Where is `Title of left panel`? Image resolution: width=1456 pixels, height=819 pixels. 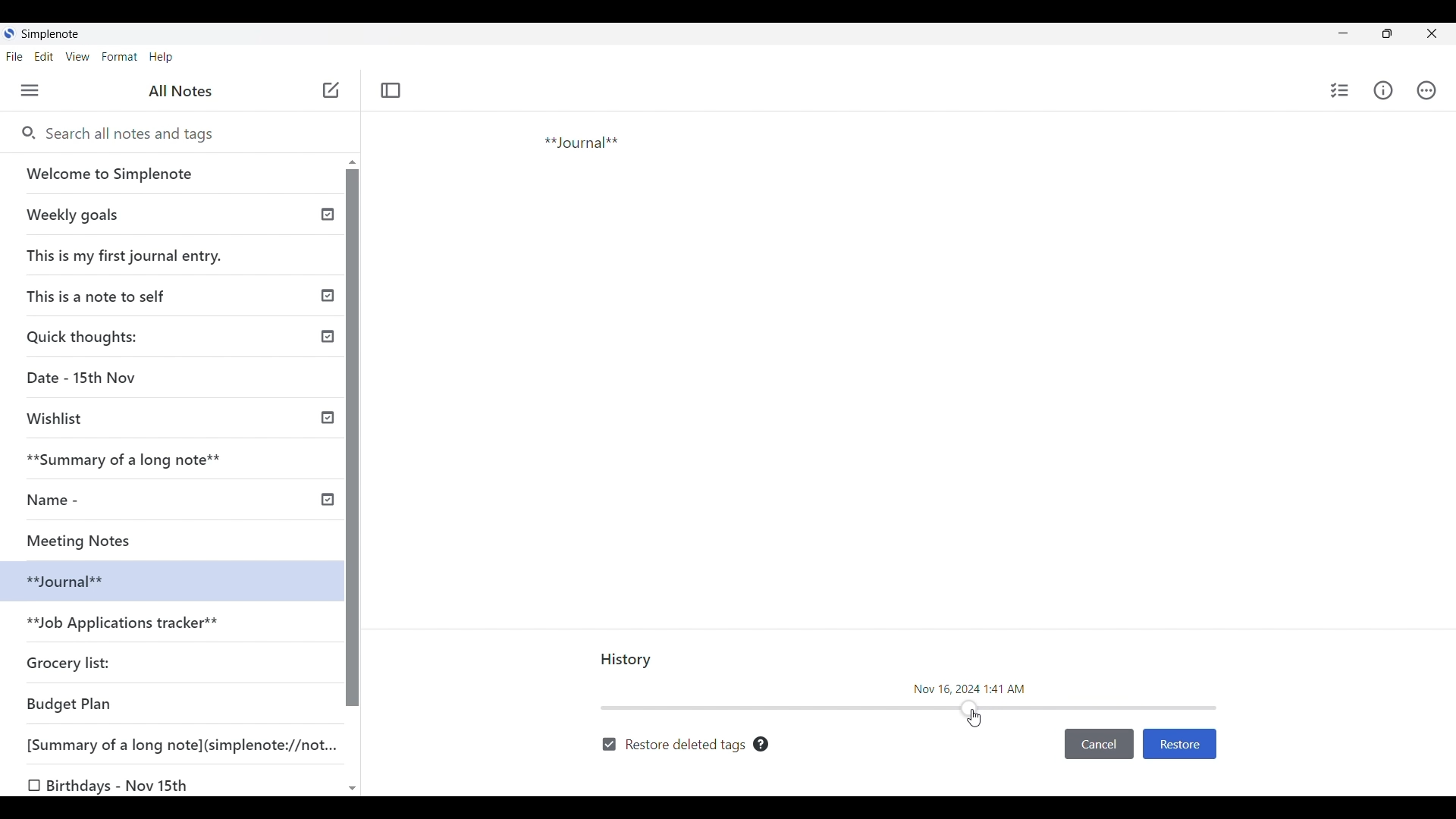
Title of left panel is located at coordinates (180, 91).